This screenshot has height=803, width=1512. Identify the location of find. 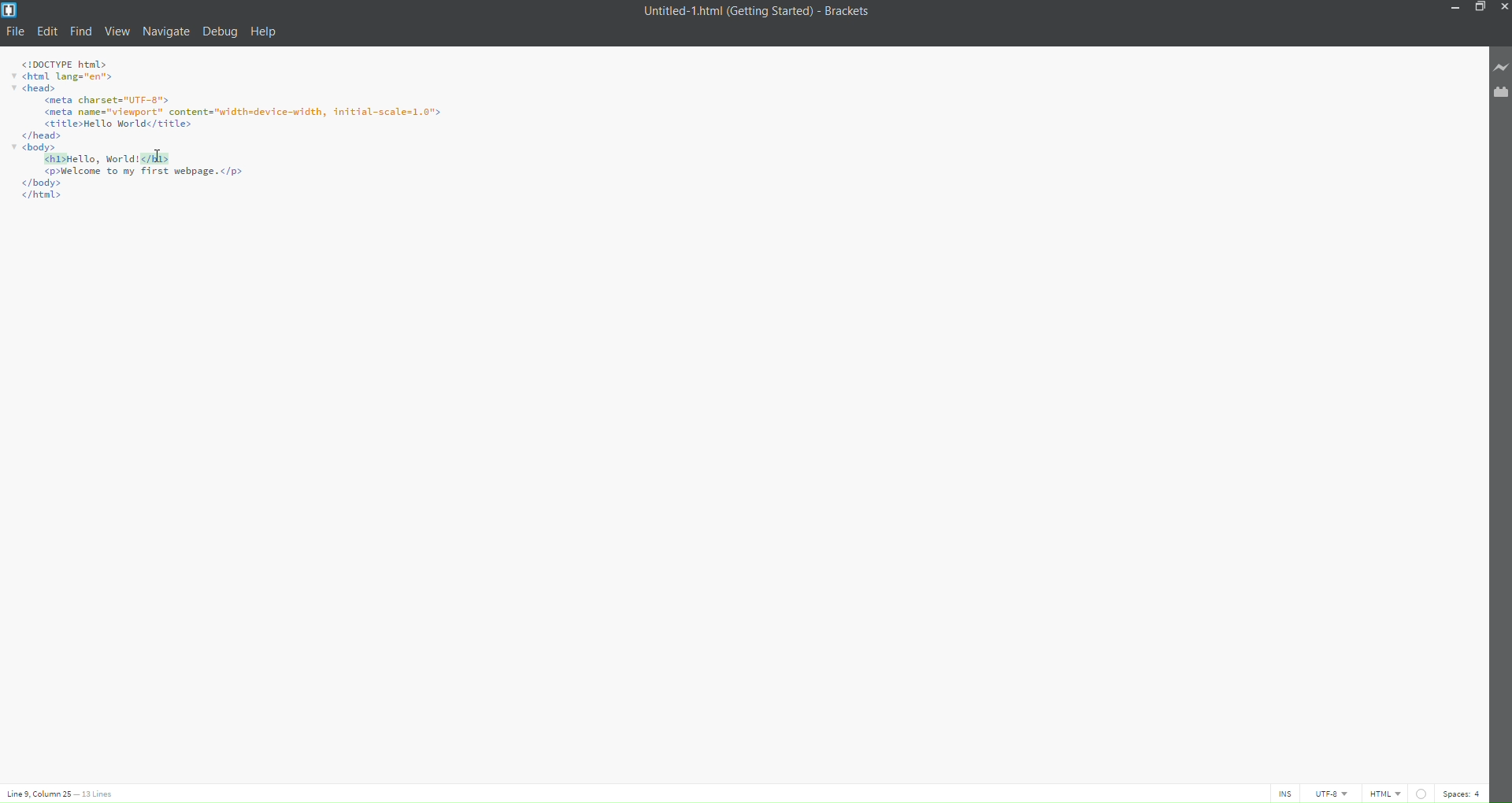
(80, 31).